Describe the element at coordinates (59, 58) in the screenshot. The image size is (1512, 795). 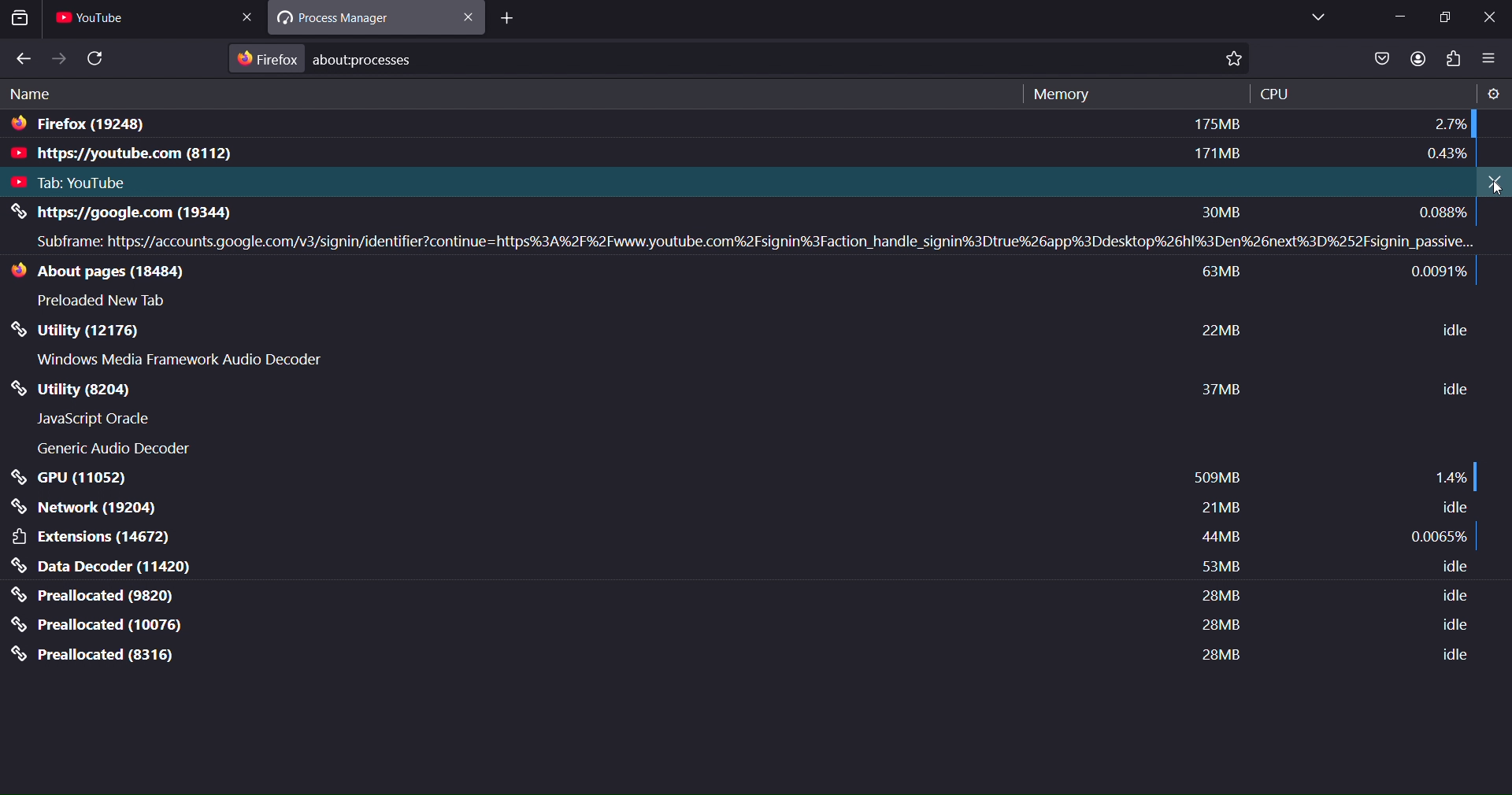
I see `go forward one page` at that location.